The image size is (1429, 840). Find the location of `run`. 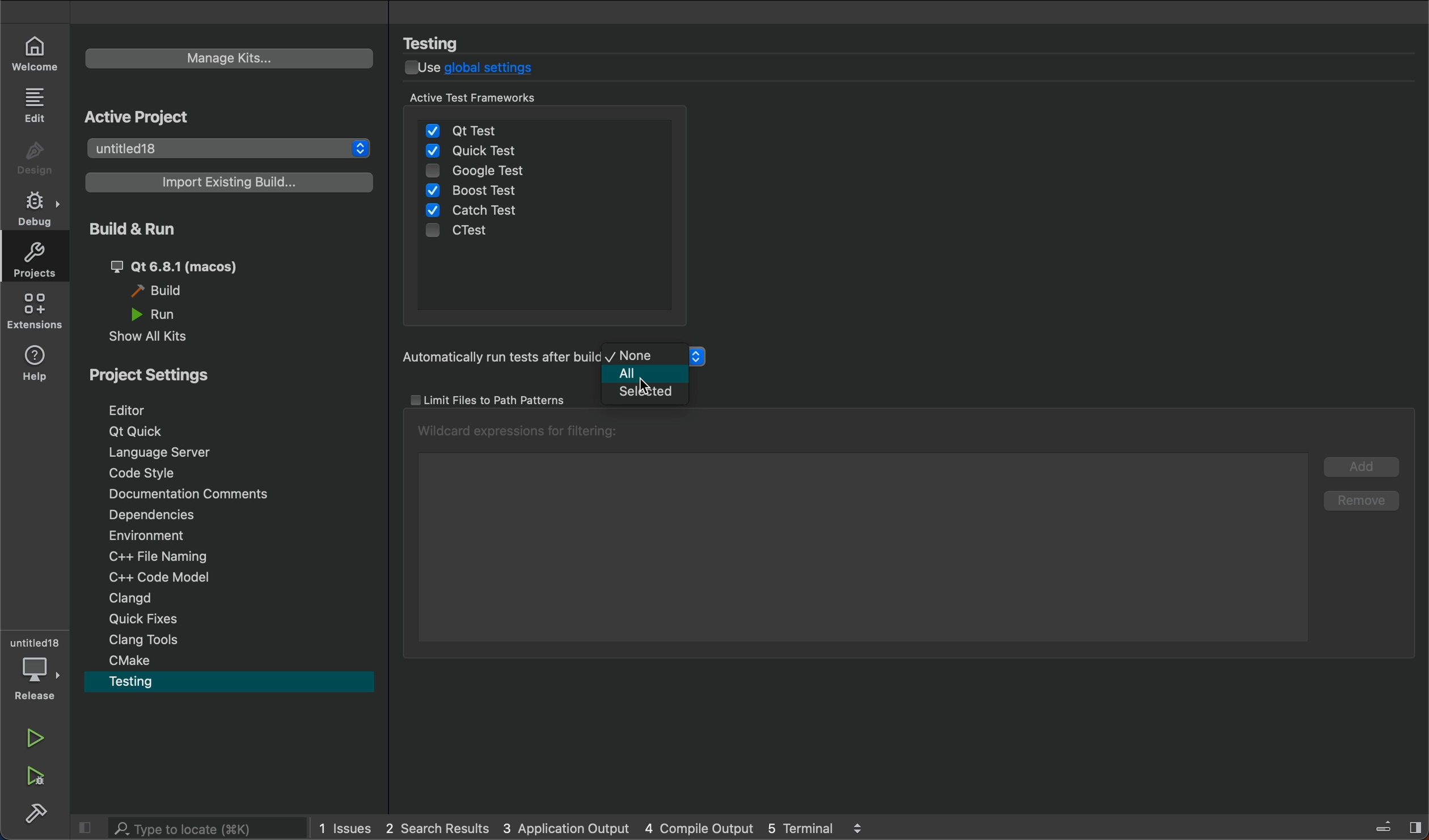

run is located at coordinates (158, 314).